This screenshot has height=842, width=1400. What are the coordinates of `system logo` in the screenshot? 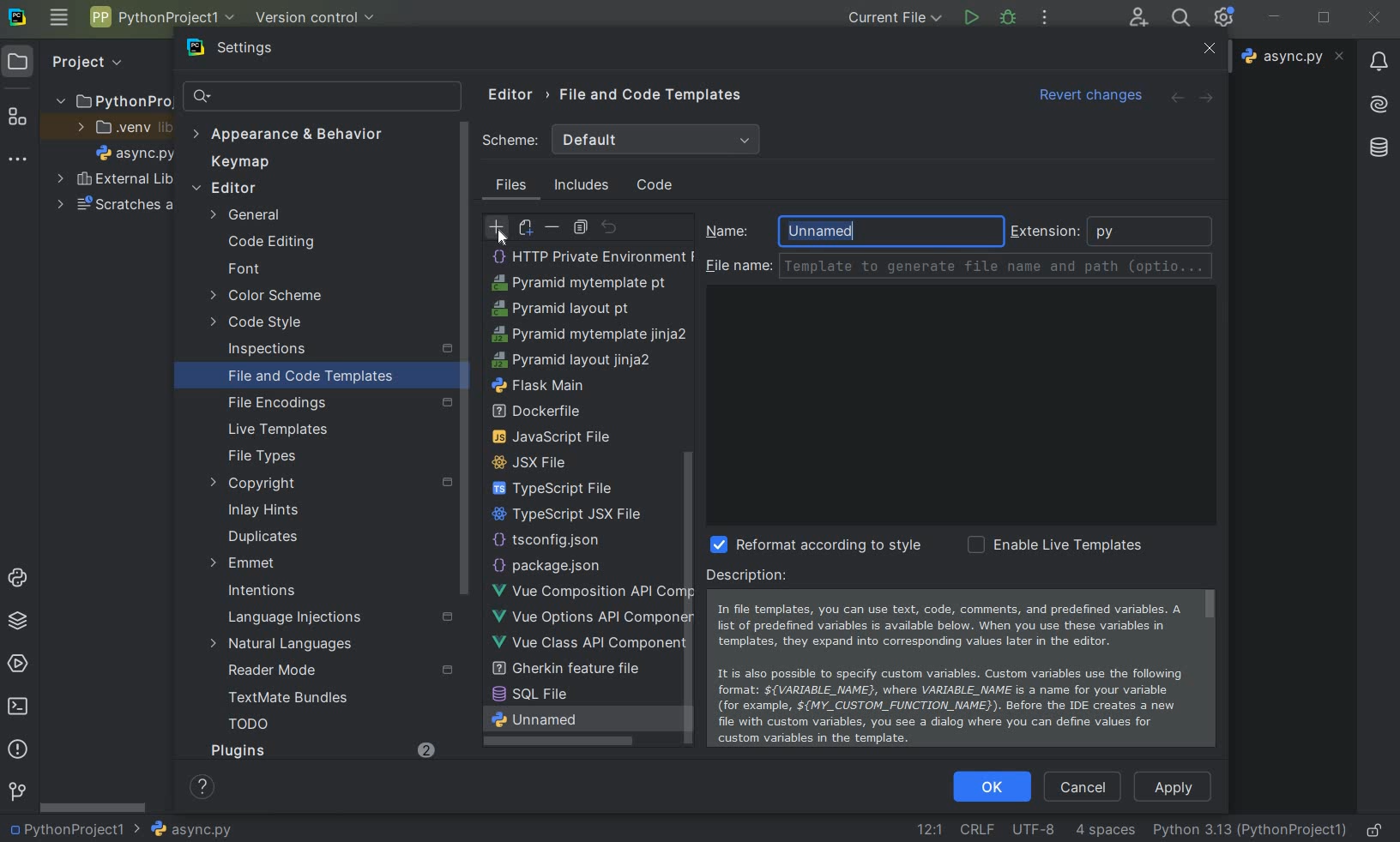 It's located at (17, 19).